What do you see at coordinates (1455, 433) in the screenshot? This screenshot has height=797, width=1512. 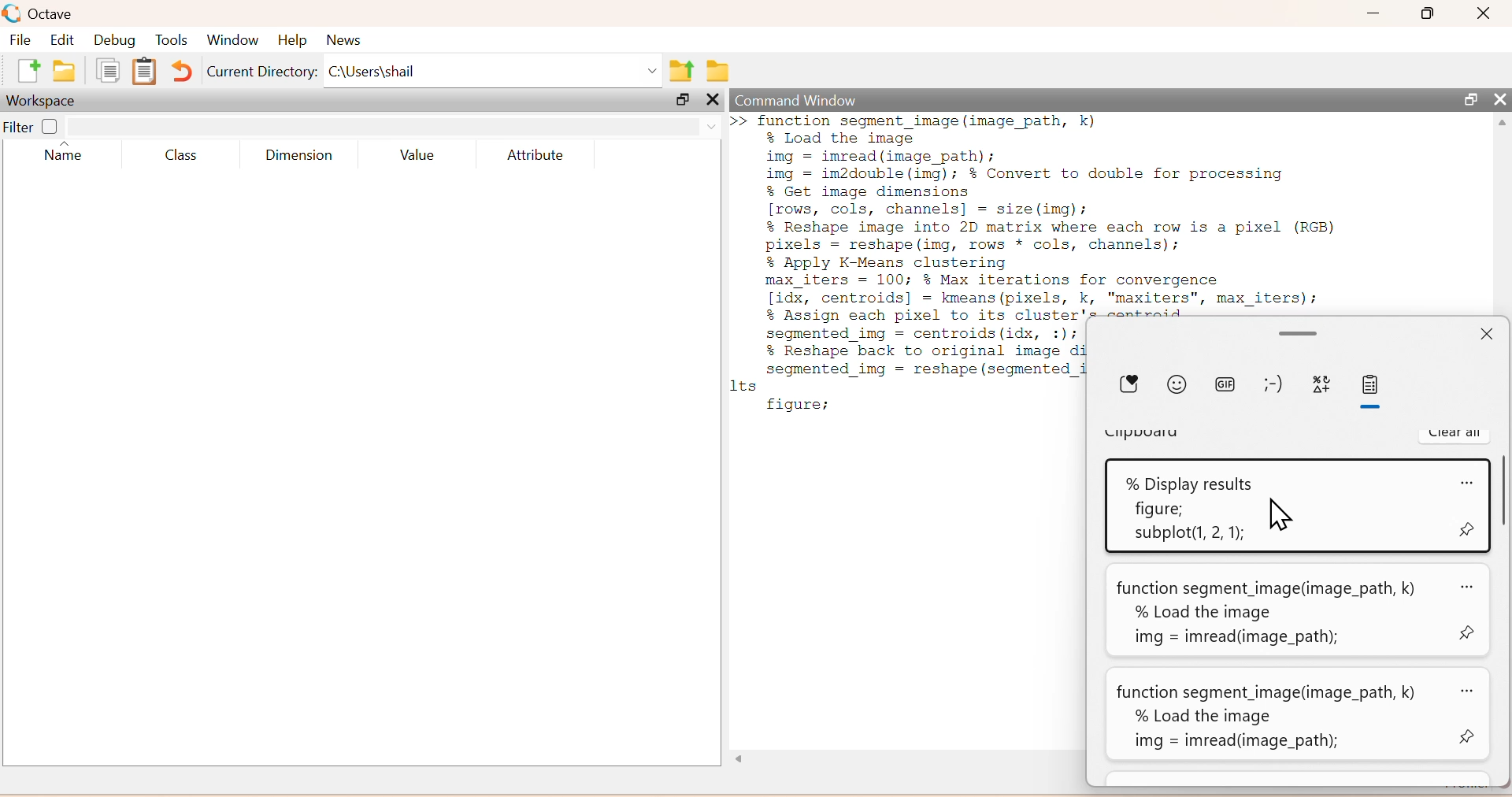 I see `Clear all` at bounding box center [1455, 433].